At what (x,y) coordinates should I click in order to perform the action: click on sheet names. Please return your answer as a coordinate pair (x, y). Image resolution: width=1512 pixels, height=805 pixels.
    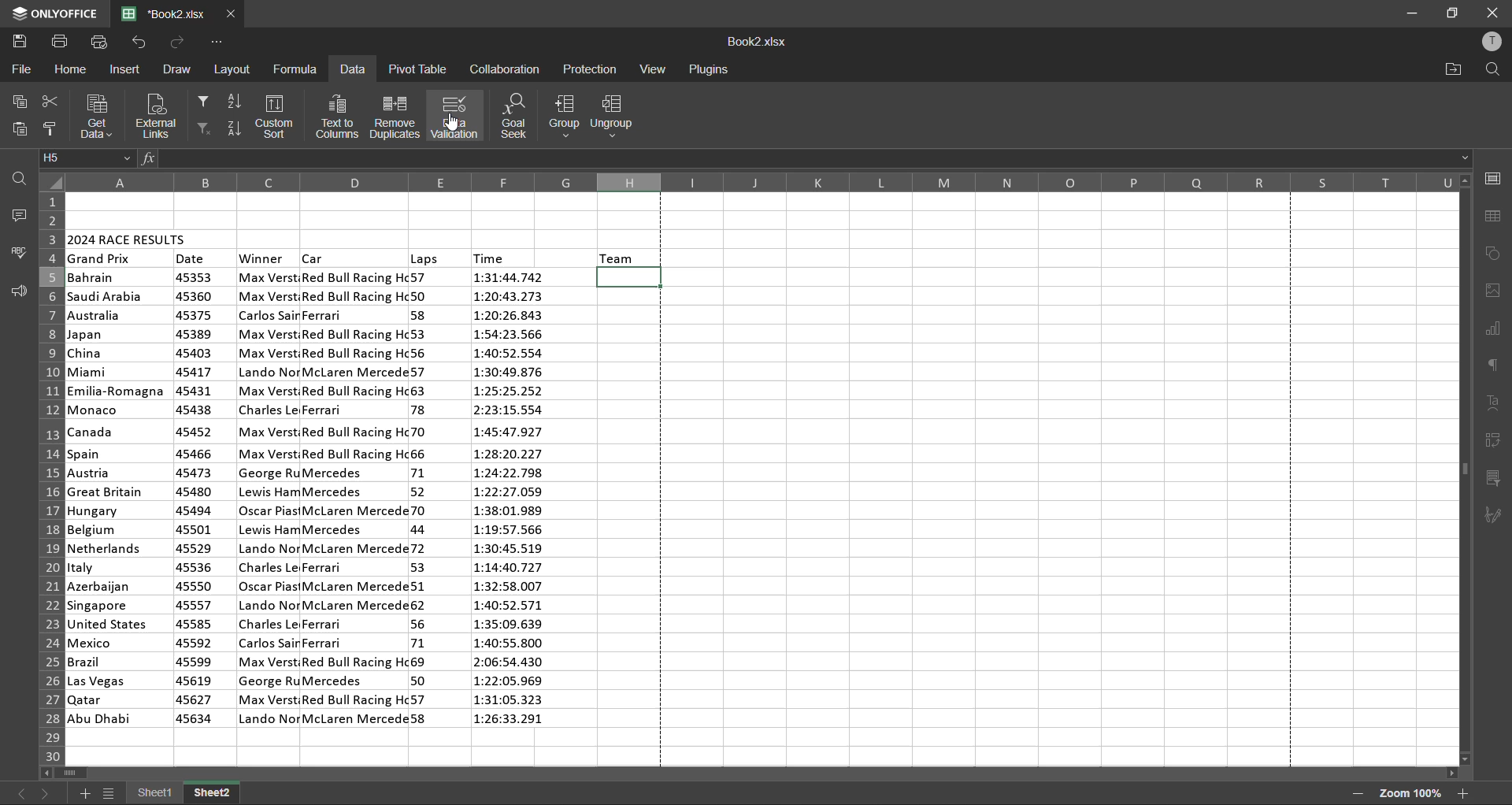
    Looking at the image, I should click on (184, 795).